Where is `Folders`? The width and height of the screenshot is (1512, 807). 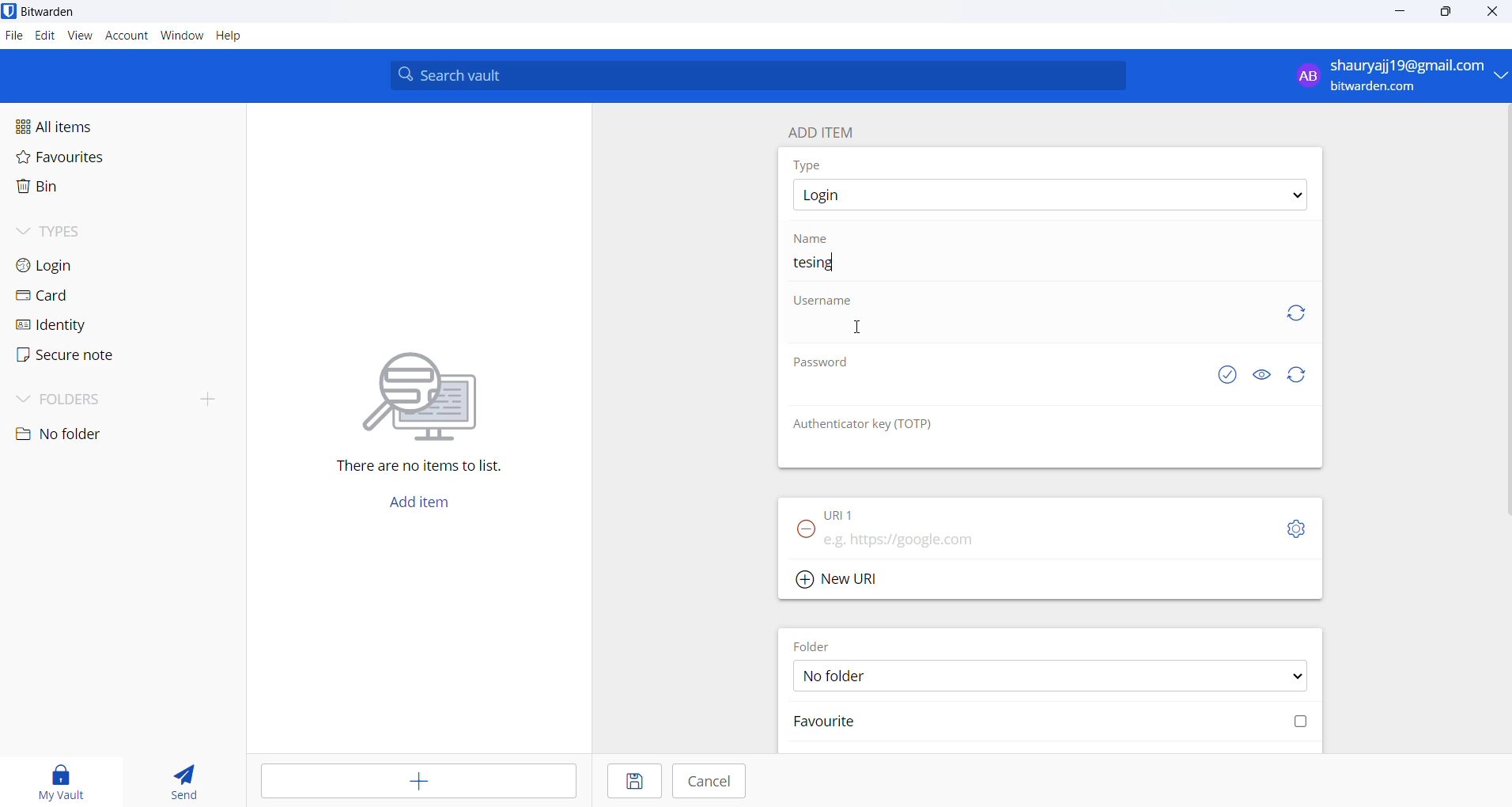 Folders is located at coordinates (81, 396).